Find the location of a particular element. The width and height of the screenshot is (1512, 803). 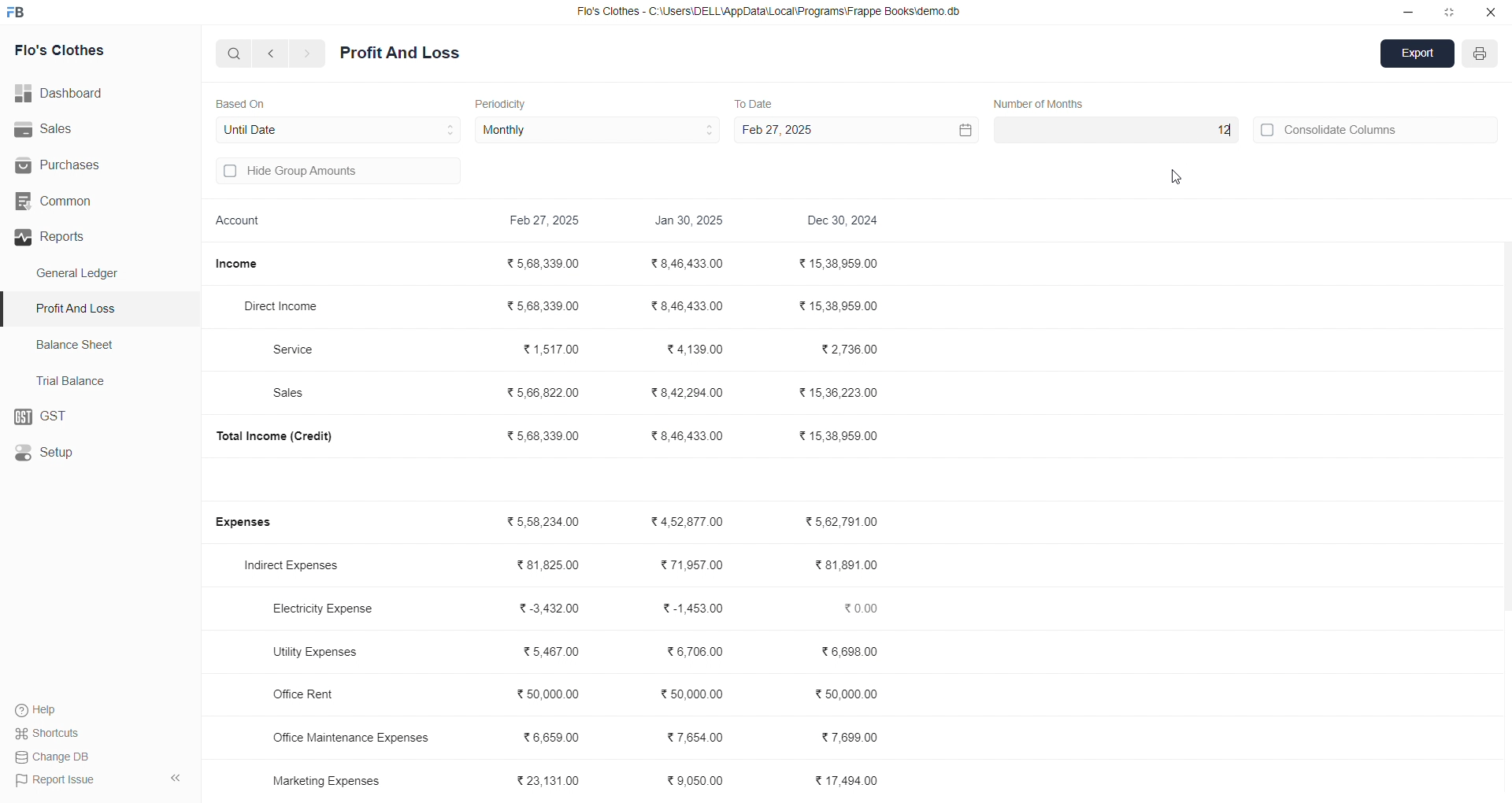

Change DB is located at coordinates (56, 757).